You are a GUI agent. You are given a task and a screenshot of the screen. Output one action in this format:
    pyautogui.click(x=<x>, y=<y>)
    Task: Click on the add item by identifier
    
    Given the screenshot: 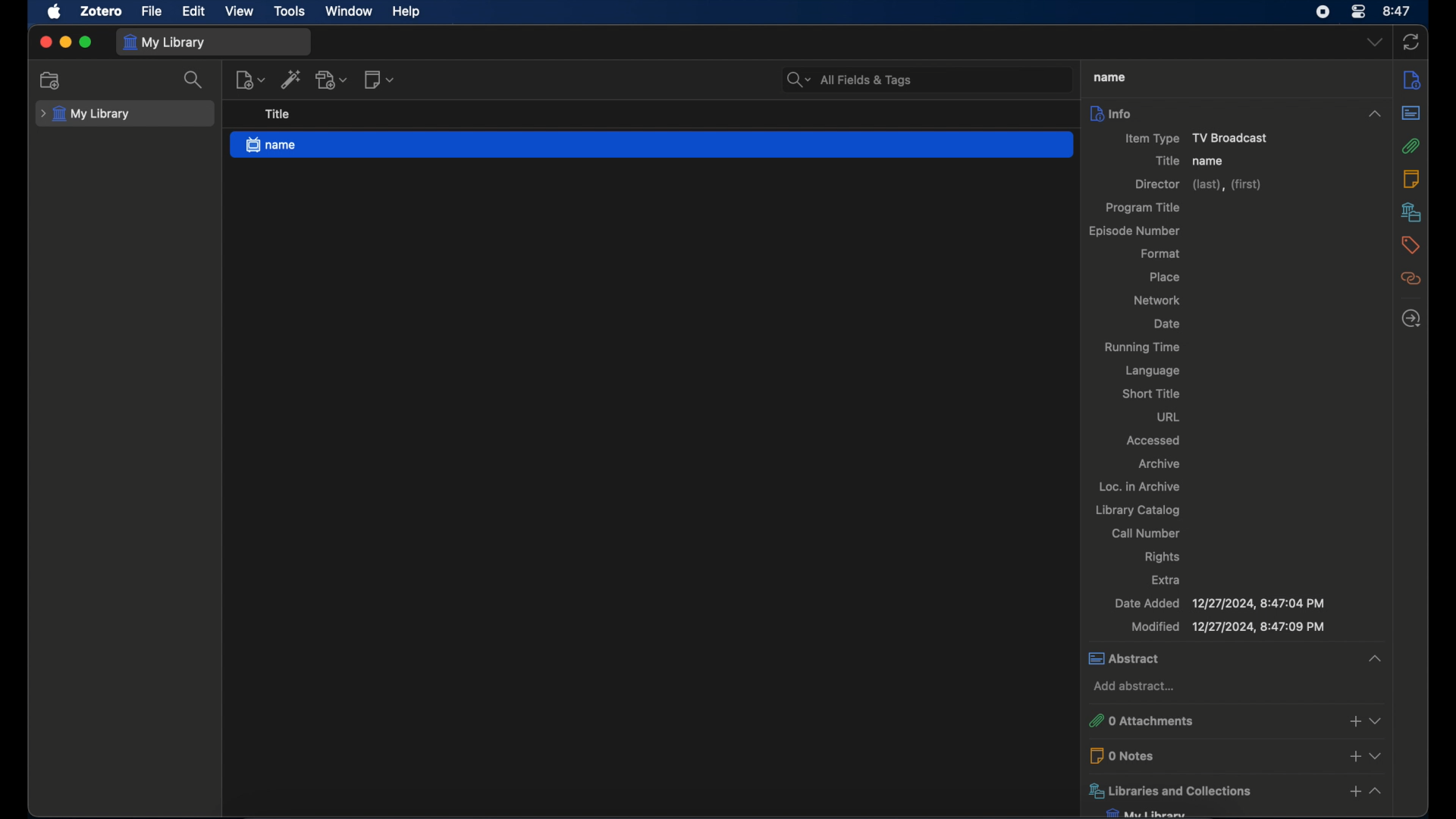 What is the action you would take?
    pyautogui.click(x=292, y=80)
    